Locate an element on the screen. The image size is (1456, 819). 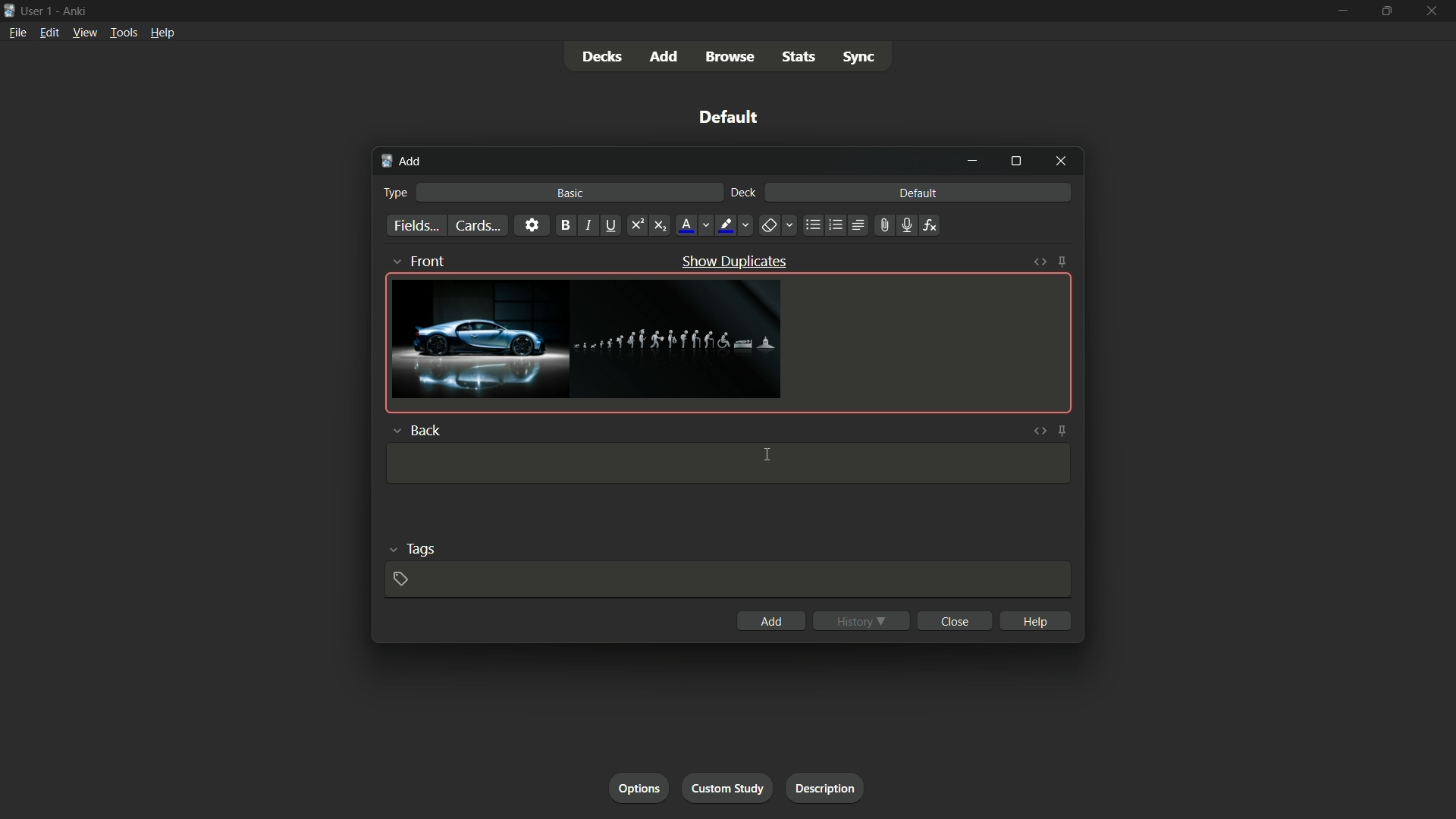
options is located at coordinates (639, 787).